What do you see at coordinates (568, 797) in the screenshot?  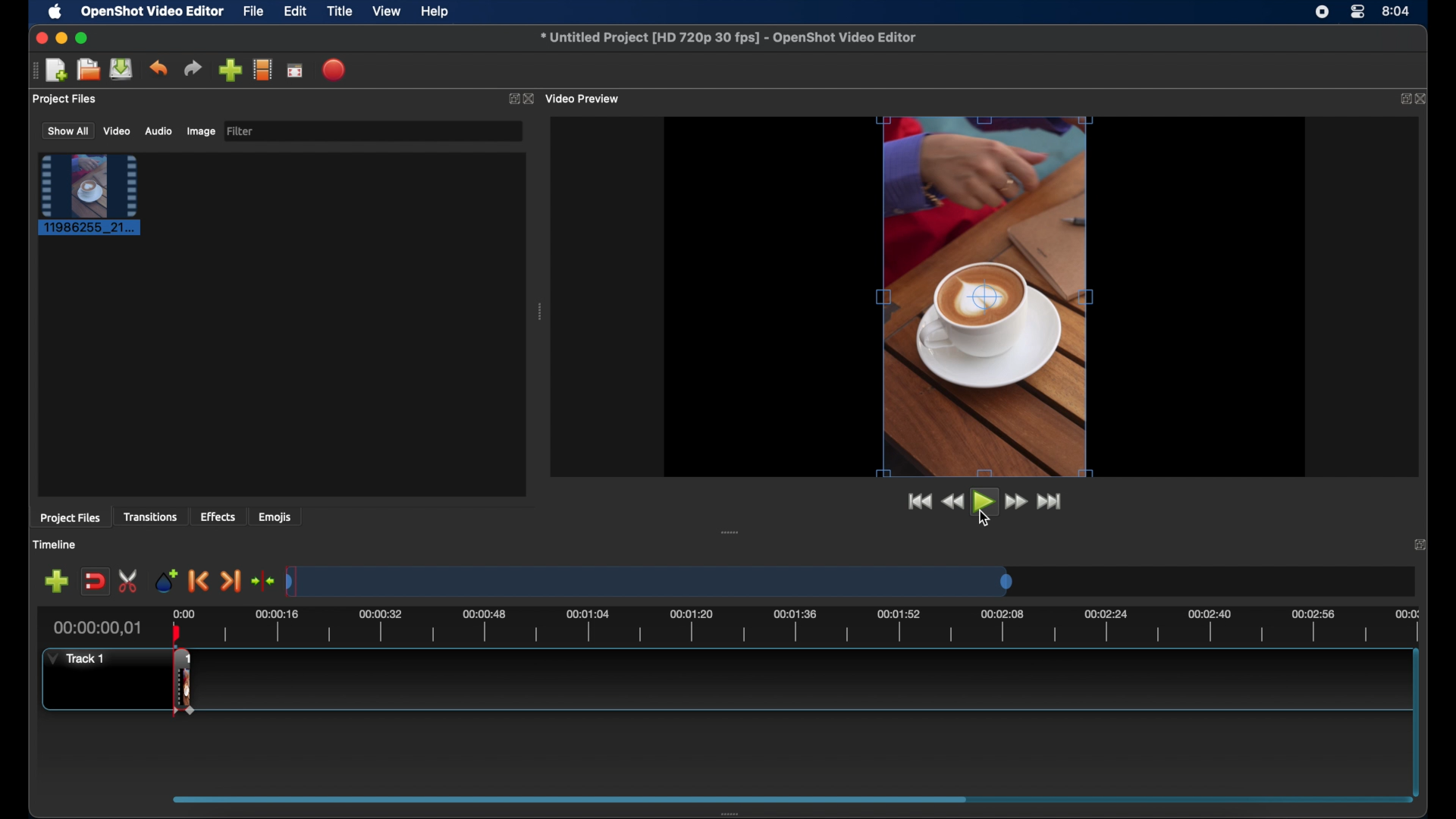 I see `scroll box` at bounding box center [568, 797].